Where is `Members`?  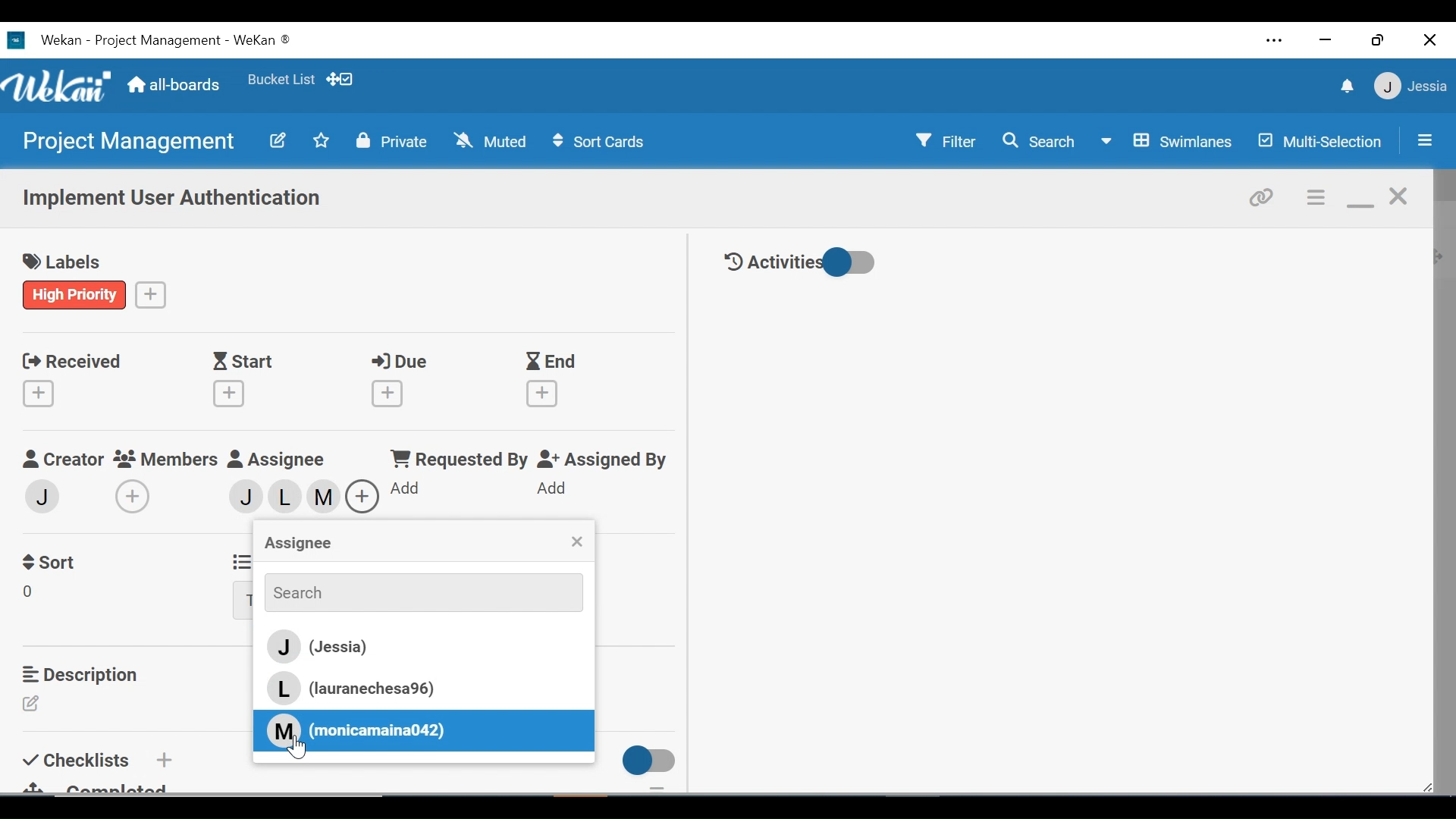 Members is located at coordinates (167, 458).